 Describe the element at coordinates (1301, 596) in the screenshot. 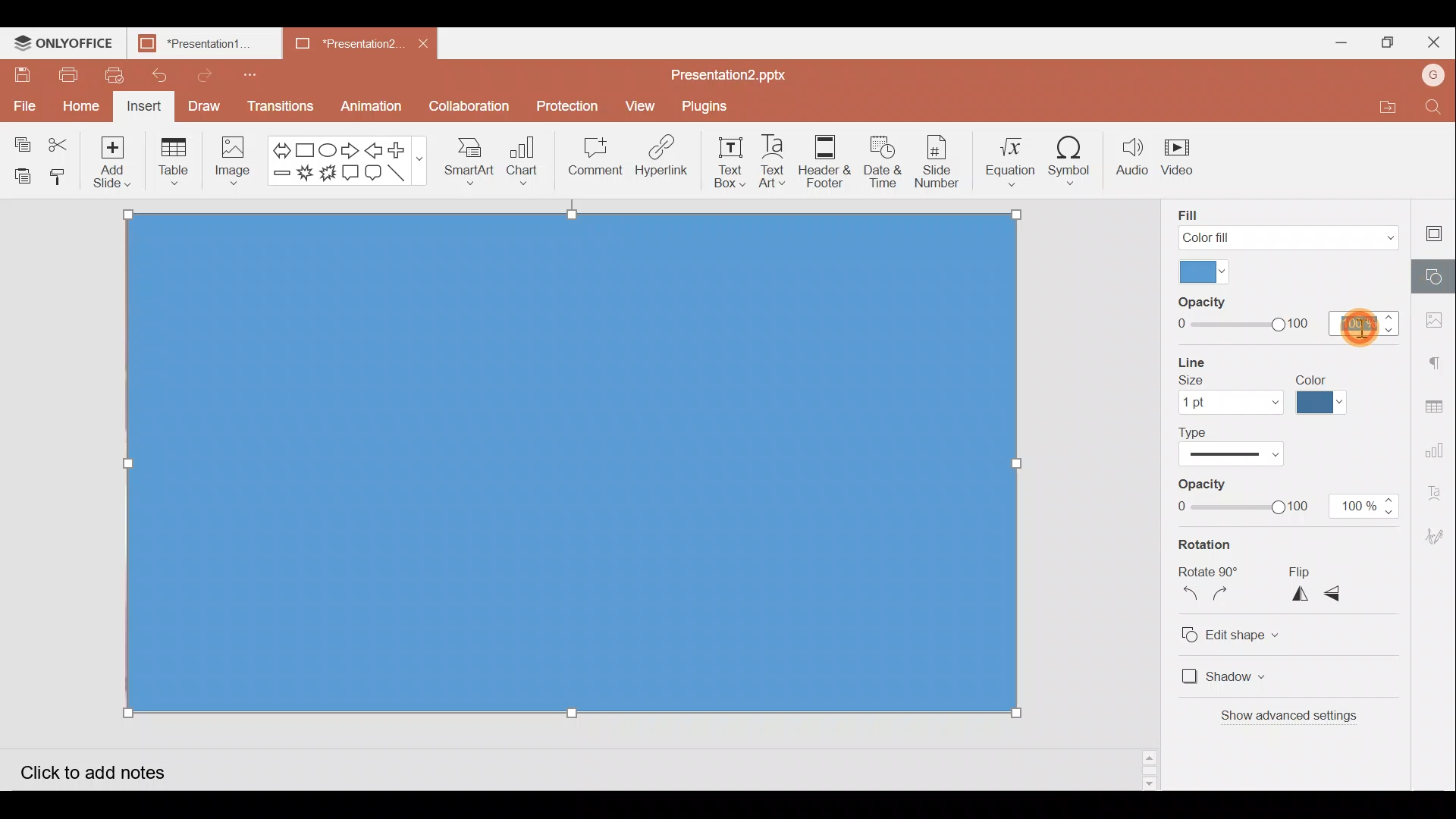

I see `Flip horizontally` at that location.